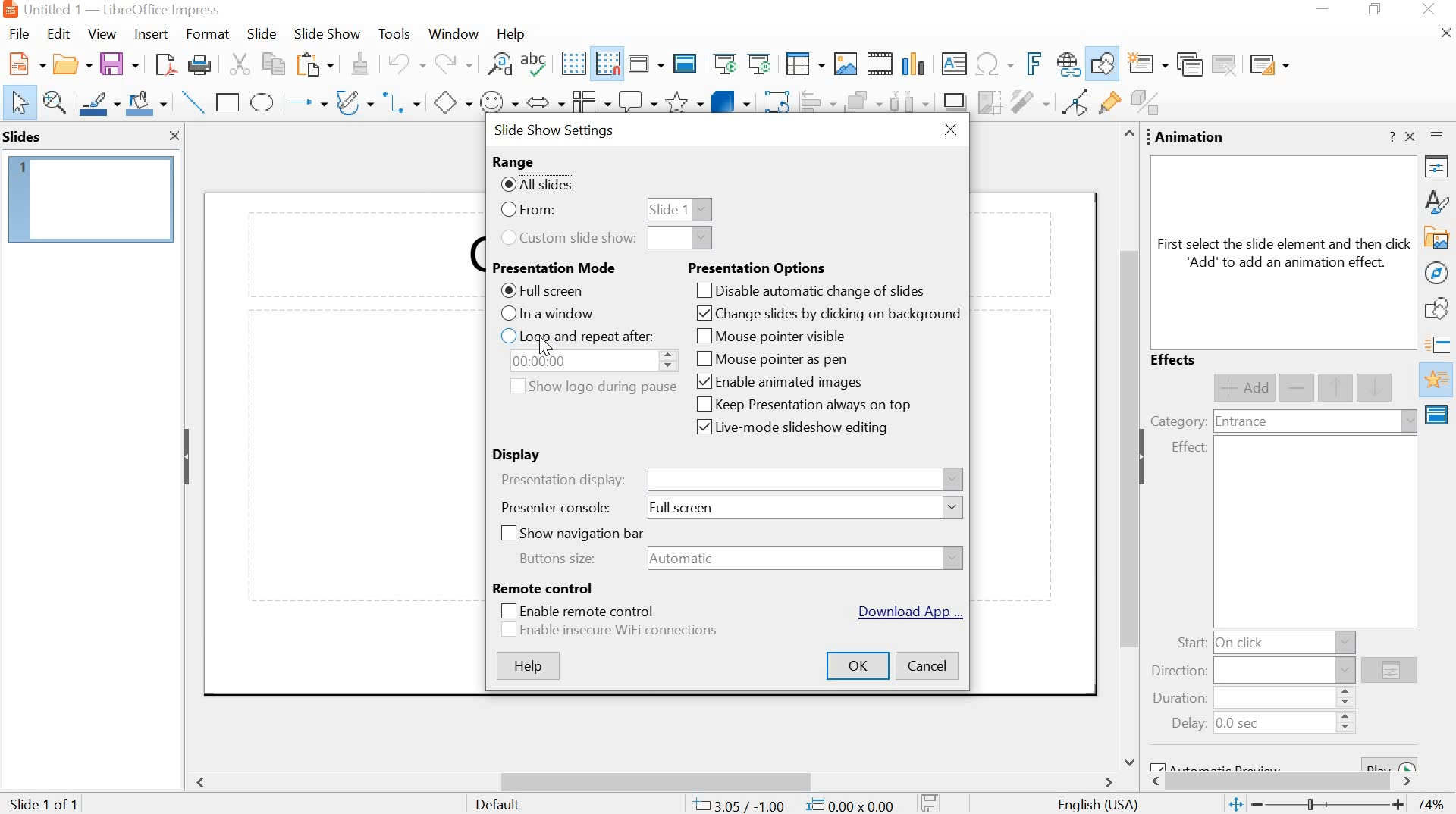 The image size is (1456, 814). What do you see at coordinates (908, 104) in the screenshot?
I see `select at least three objects to distribute` at bounding box center [908, 104].